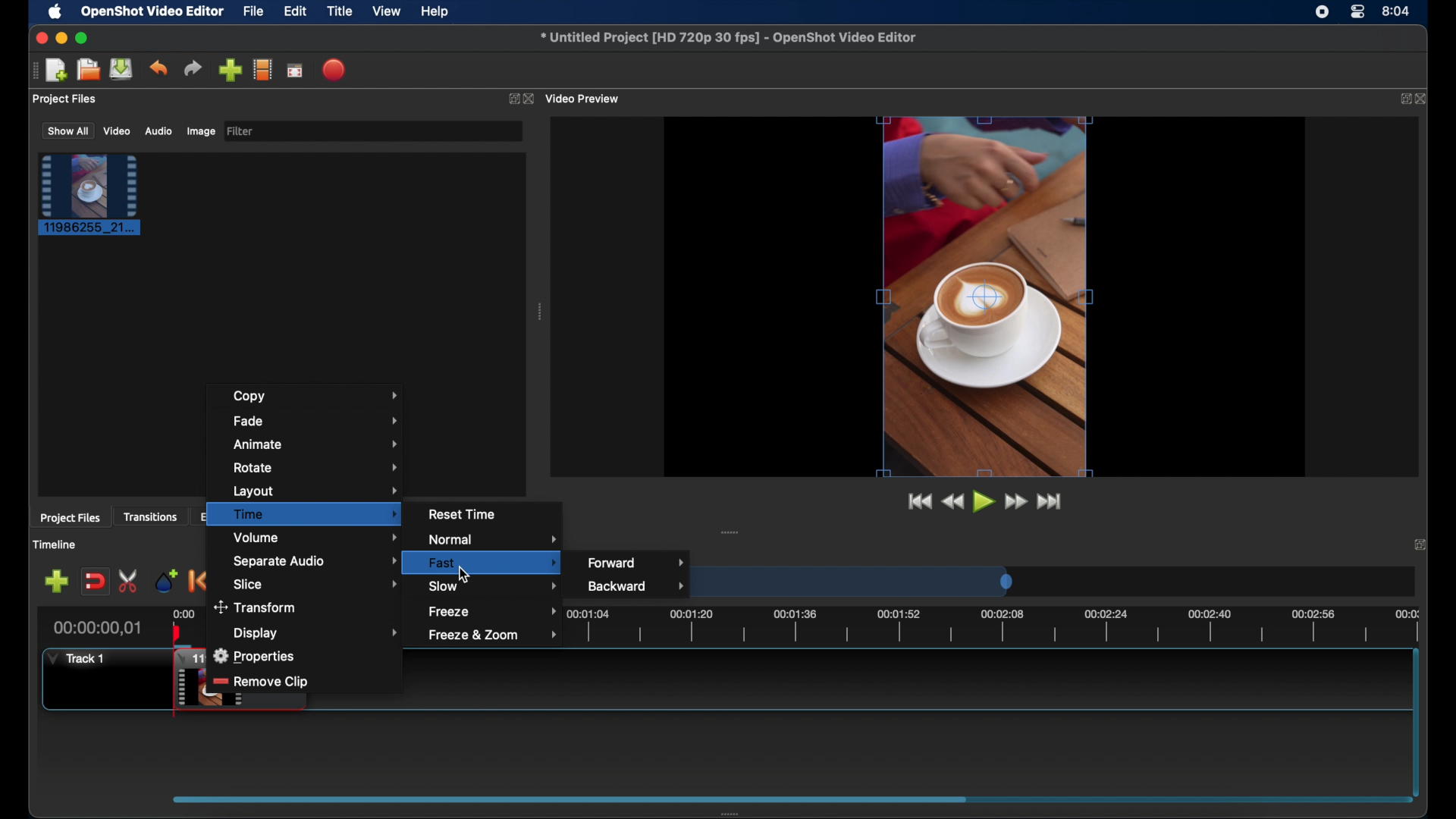 Image resolution: width=1456 pixels, height=819 pixels. I want to click on maximize, so click(83, 38).